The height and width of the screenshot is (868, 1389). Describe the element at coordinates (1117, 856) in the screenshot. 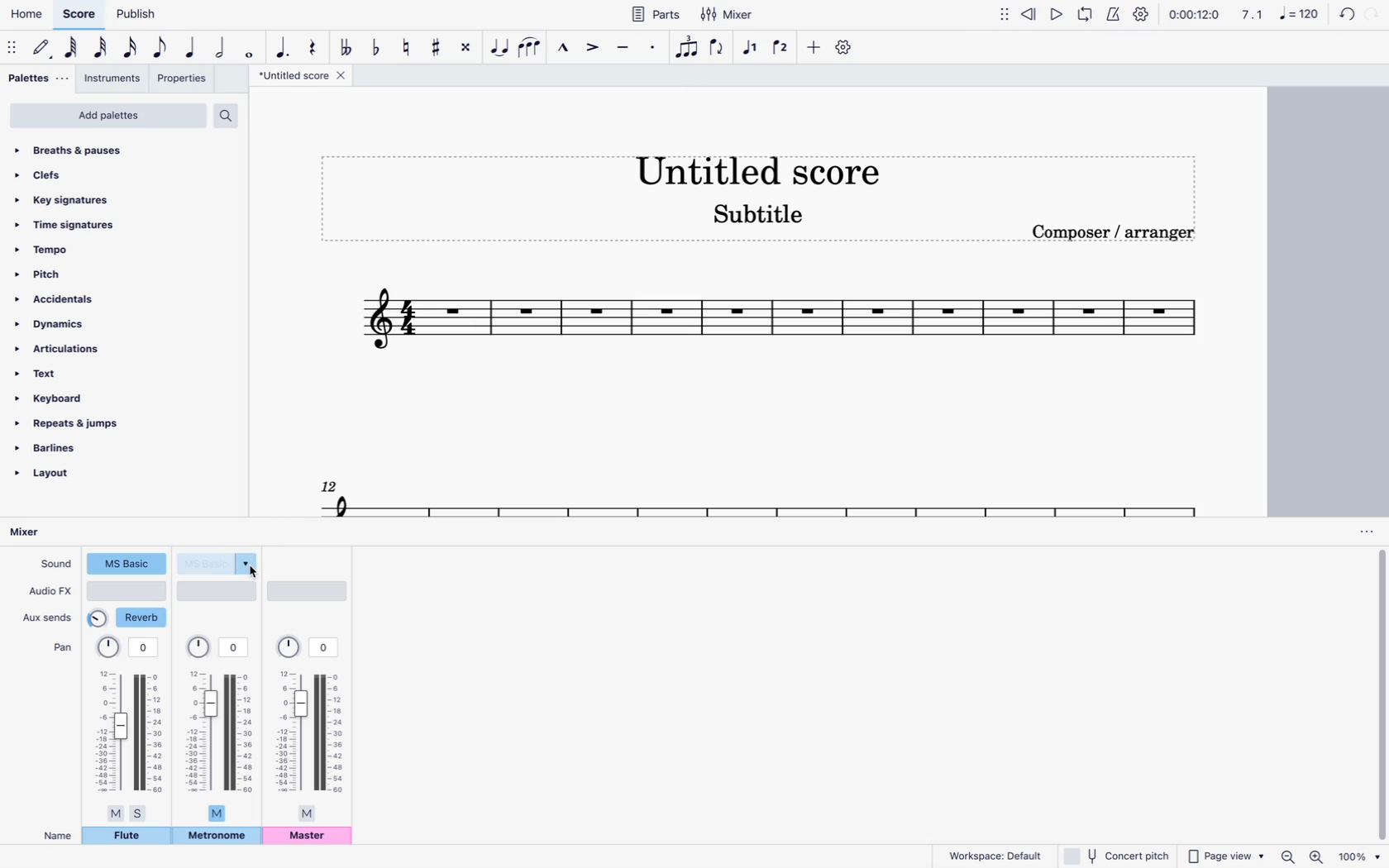

I see `concert pitch` at that location.